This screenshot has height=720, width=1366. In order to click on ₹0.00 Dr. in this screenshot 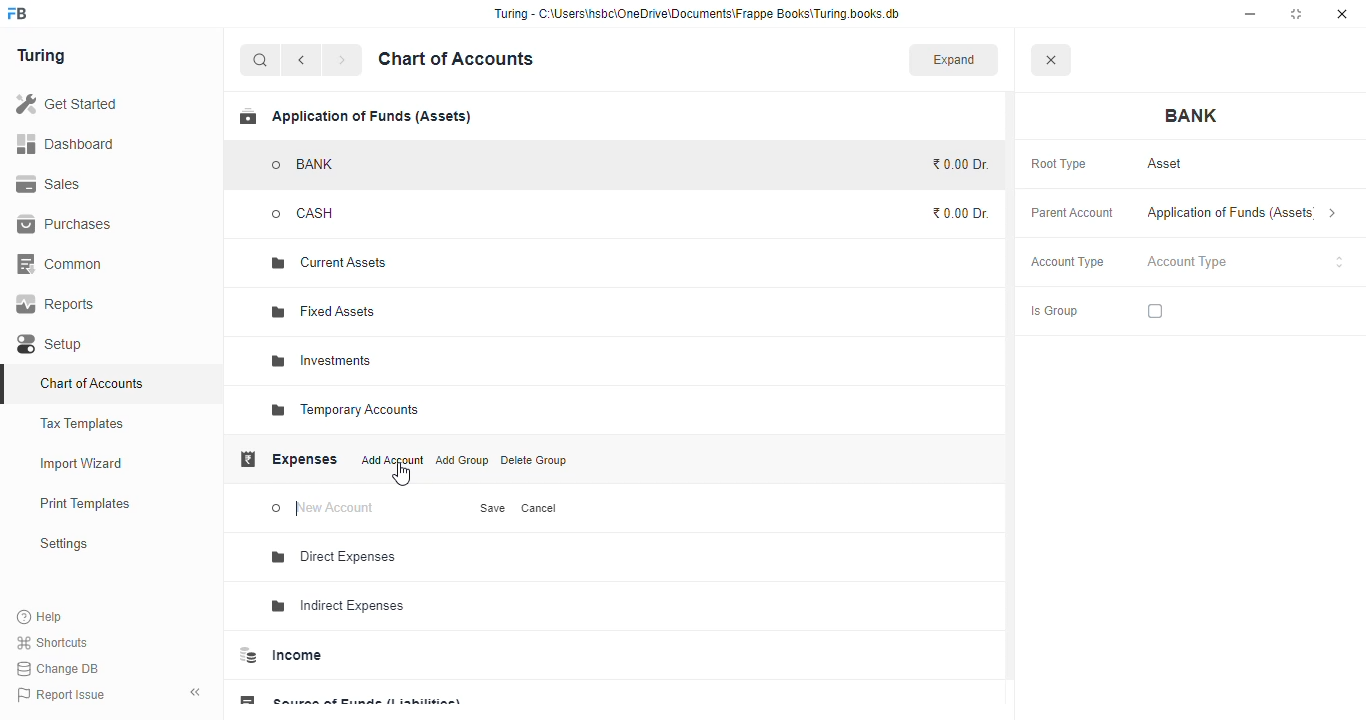, I will do `click(957, 164)`.